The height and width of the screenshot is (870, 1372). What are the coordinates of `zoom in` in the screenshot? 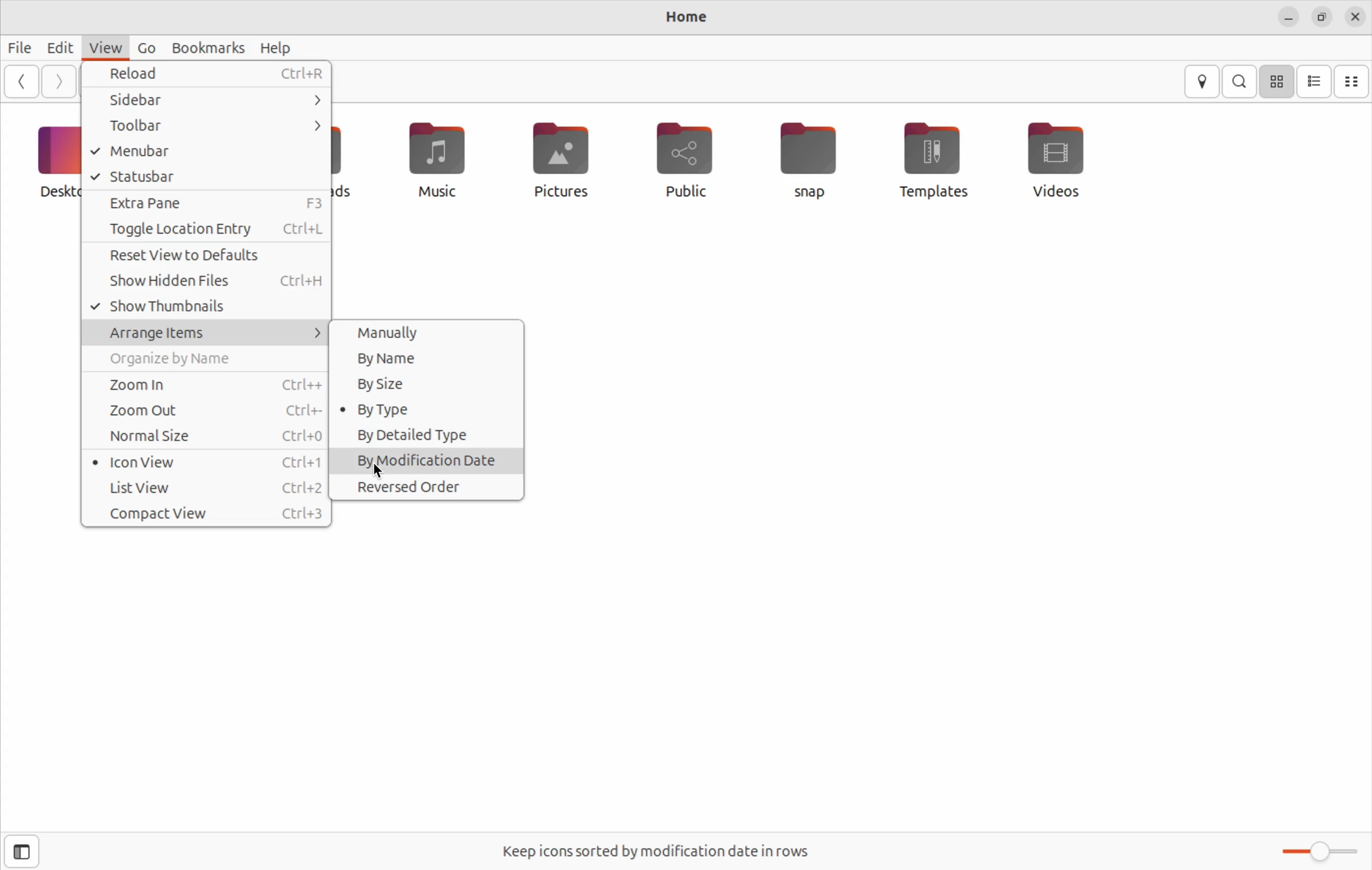 It's located at (210, 383).